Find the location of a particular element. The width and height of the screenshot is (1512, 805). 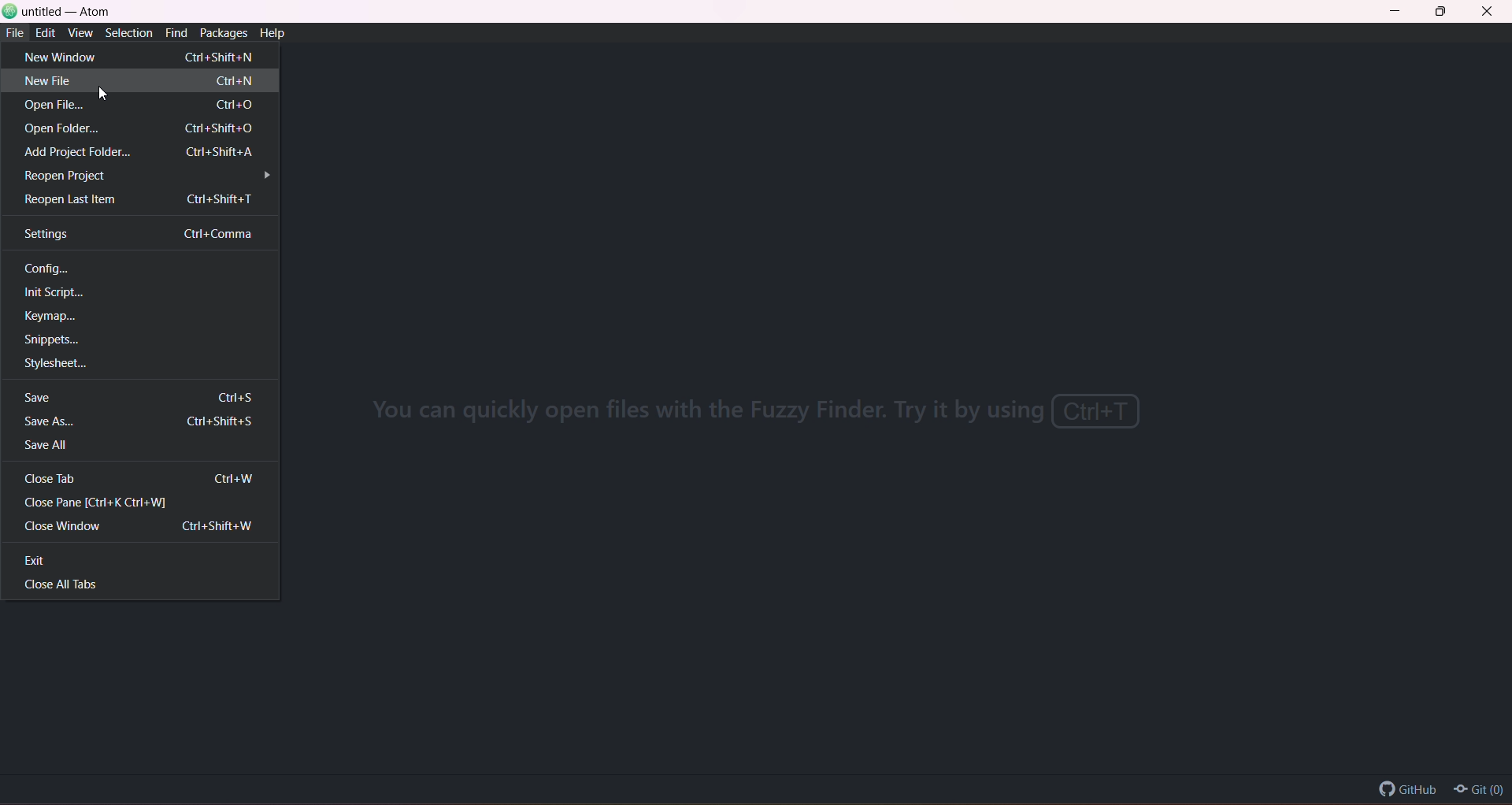

Open File... Ctrl+O is located at coordinates (146, 105).